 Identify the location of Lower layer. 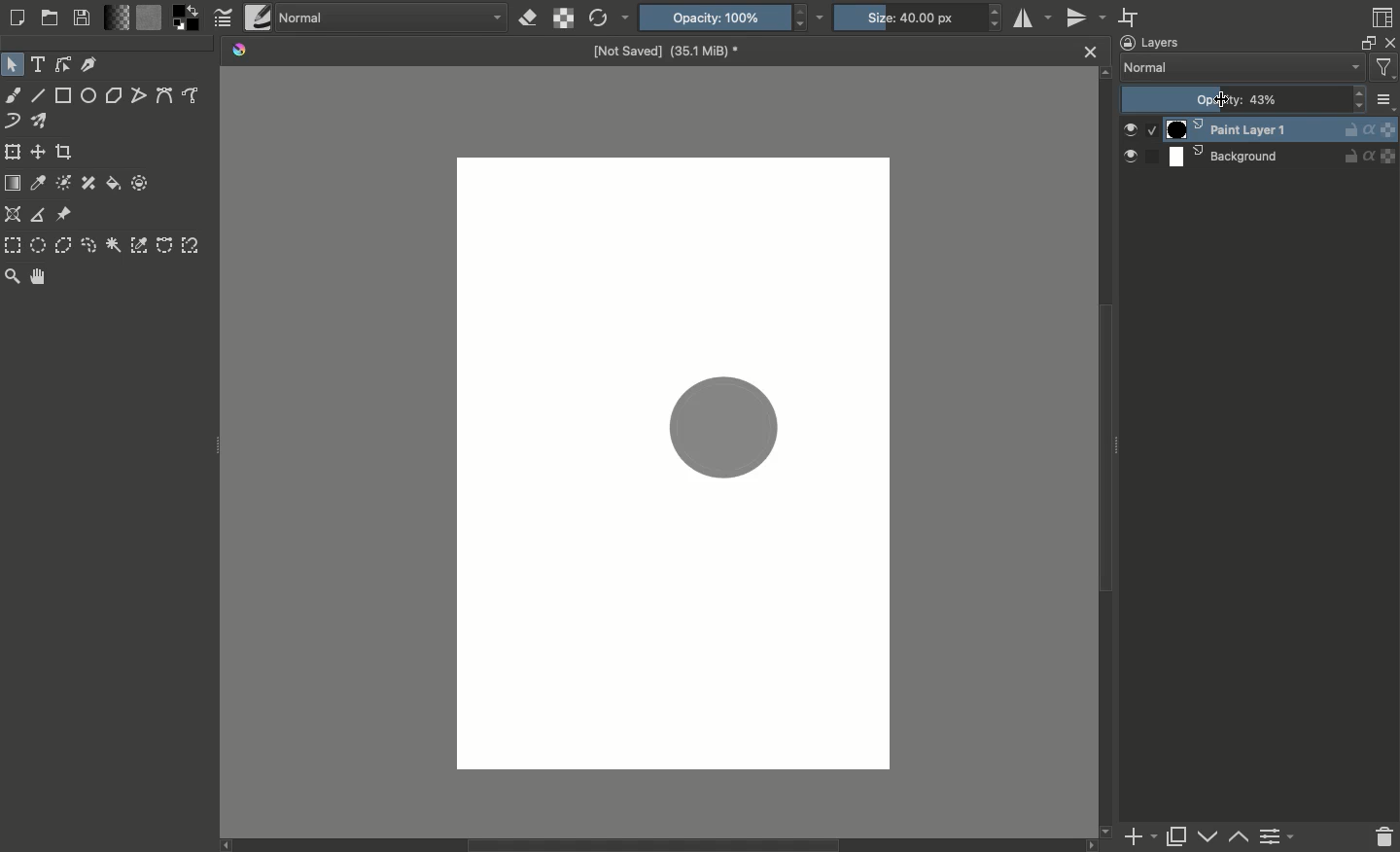
(1208, 838).